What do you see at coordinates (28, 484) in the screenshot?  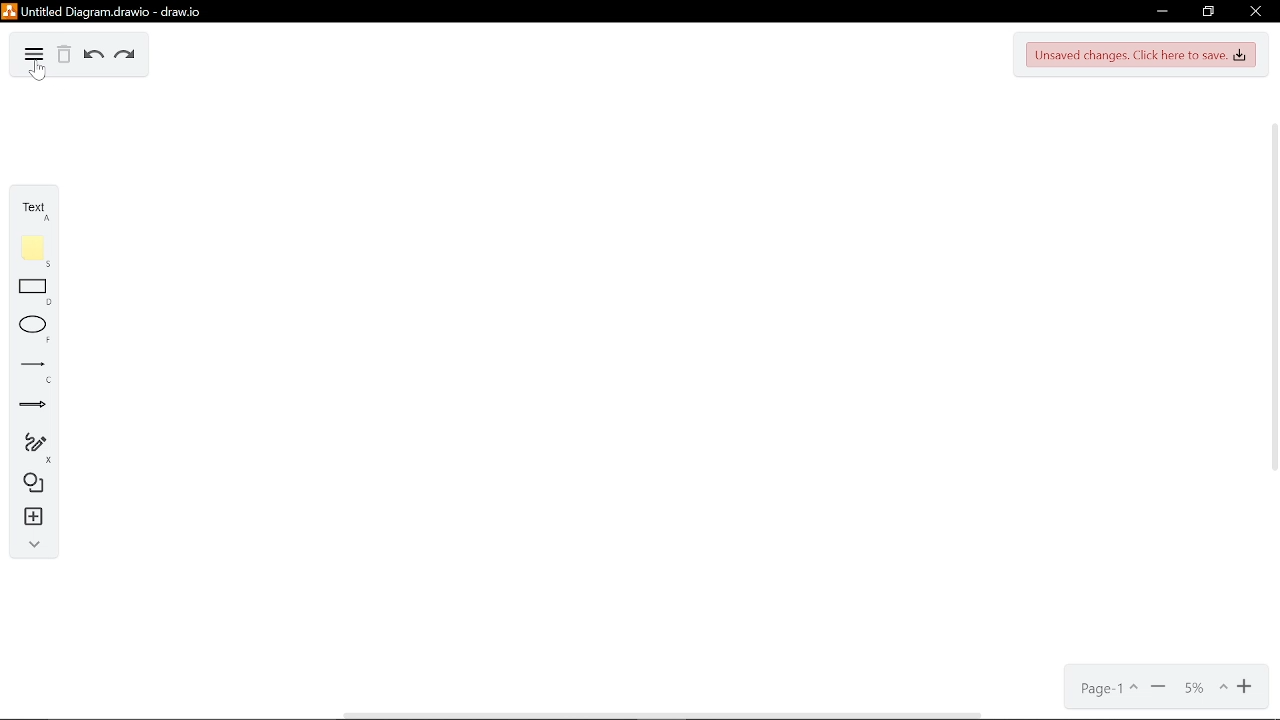 I see `Shapes` at bounding box center [28, 484].